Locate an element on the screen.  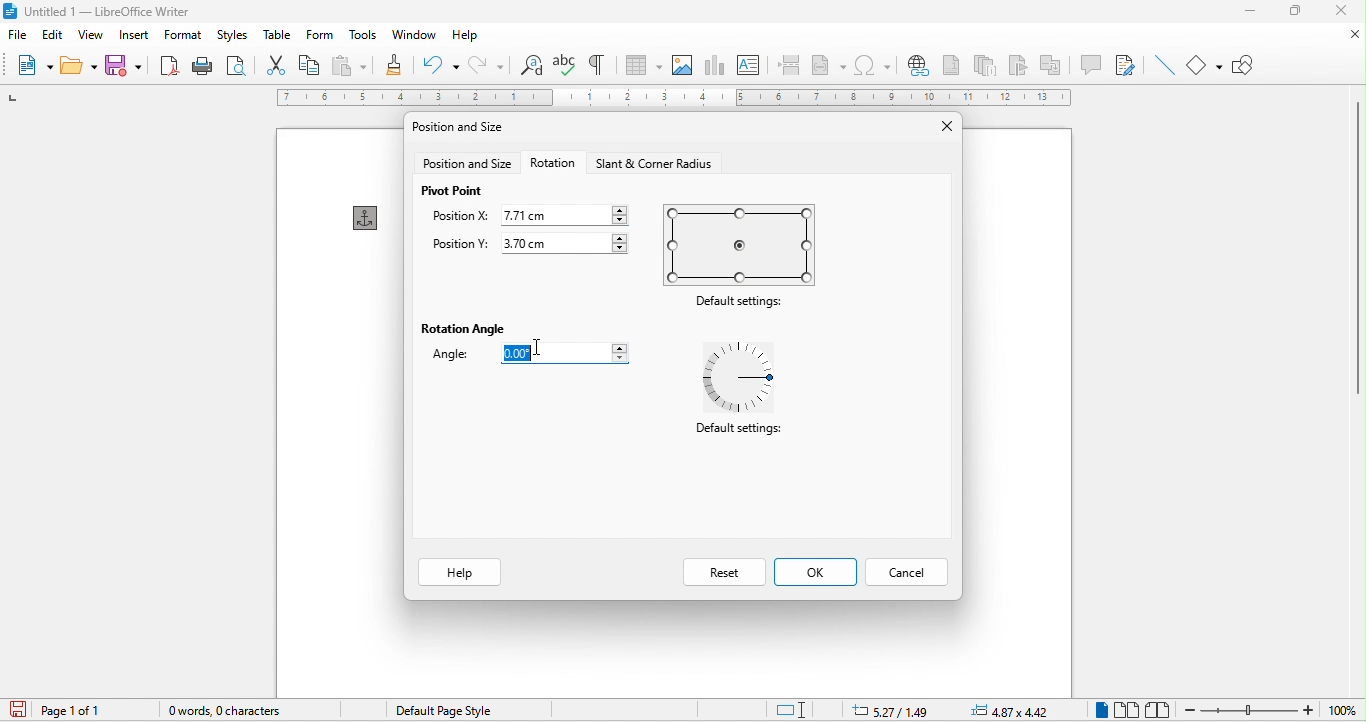
spelling is located at coordinates (564, 65).